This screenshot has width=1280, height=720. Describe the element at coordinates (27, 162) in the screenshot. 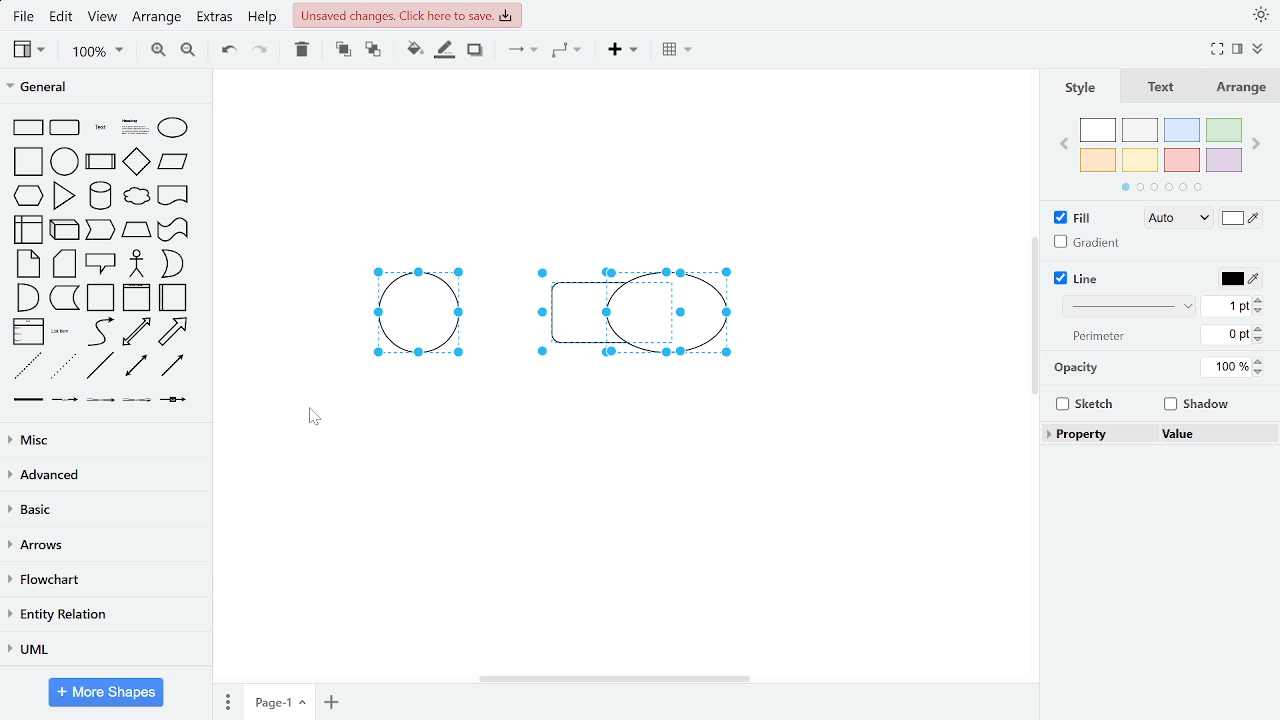

I see `square` at that location.